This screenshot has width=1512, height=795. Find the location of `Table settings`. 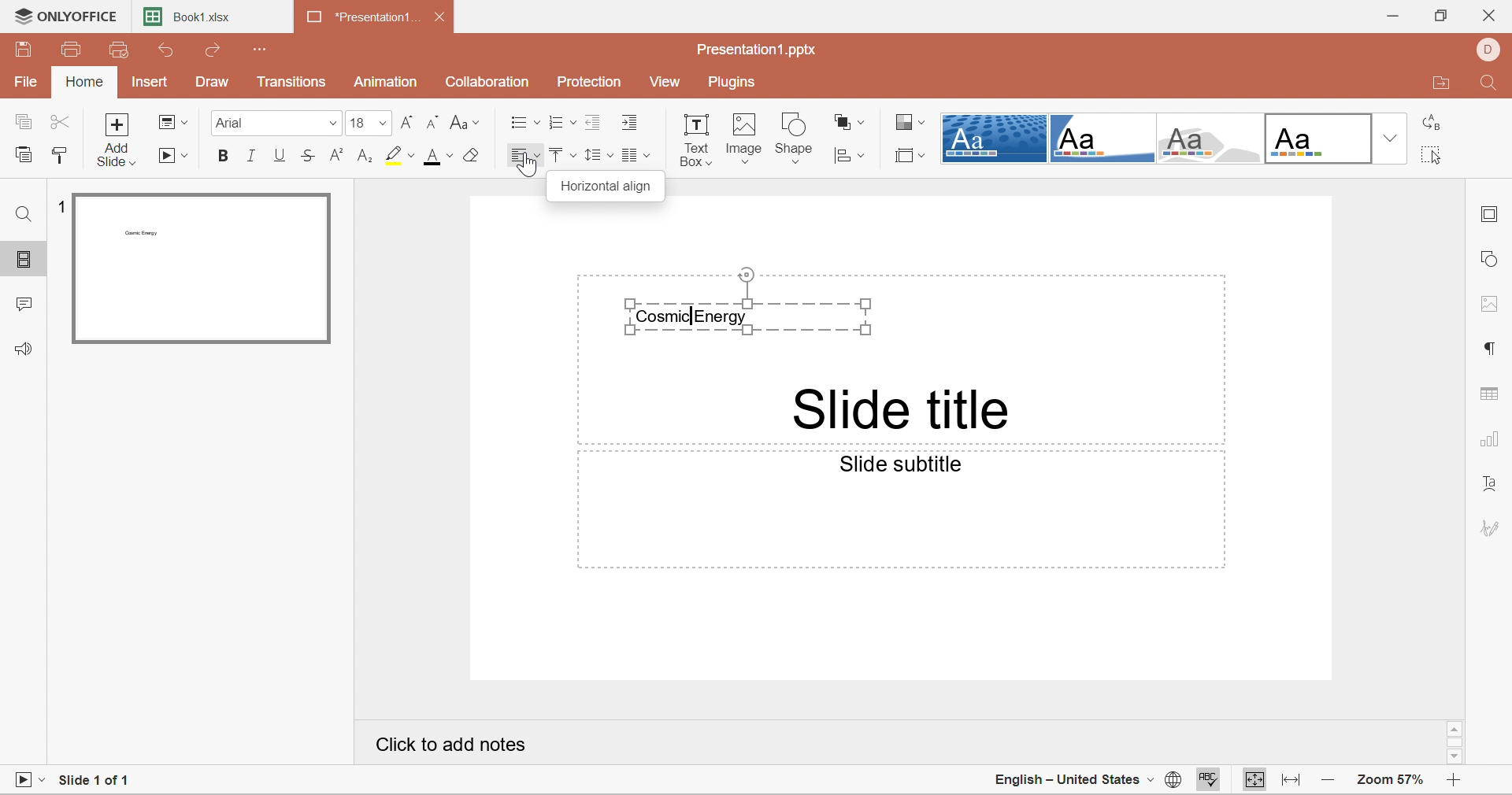

Table settings is located at coordinates (1492, 394).